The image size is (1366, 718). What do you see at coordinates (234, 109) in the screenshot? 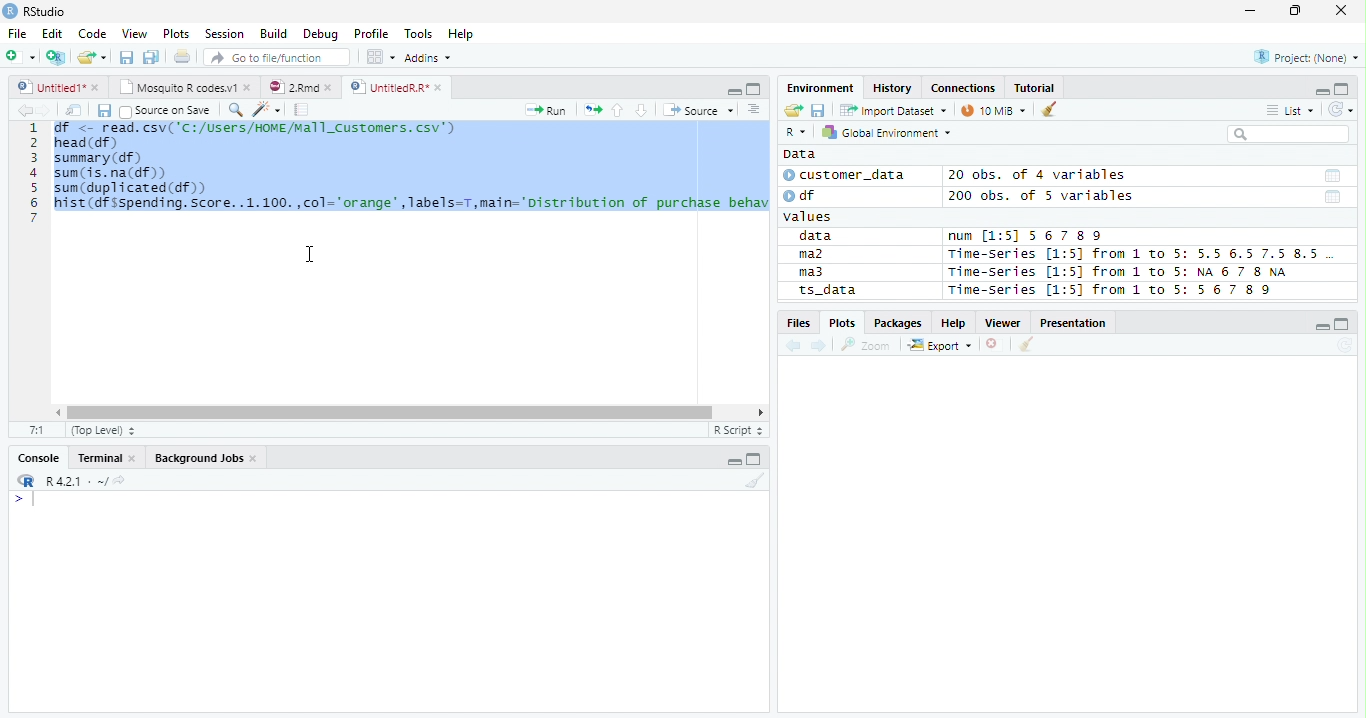
I see `Find/Replace` at bounding box center [234, 109].